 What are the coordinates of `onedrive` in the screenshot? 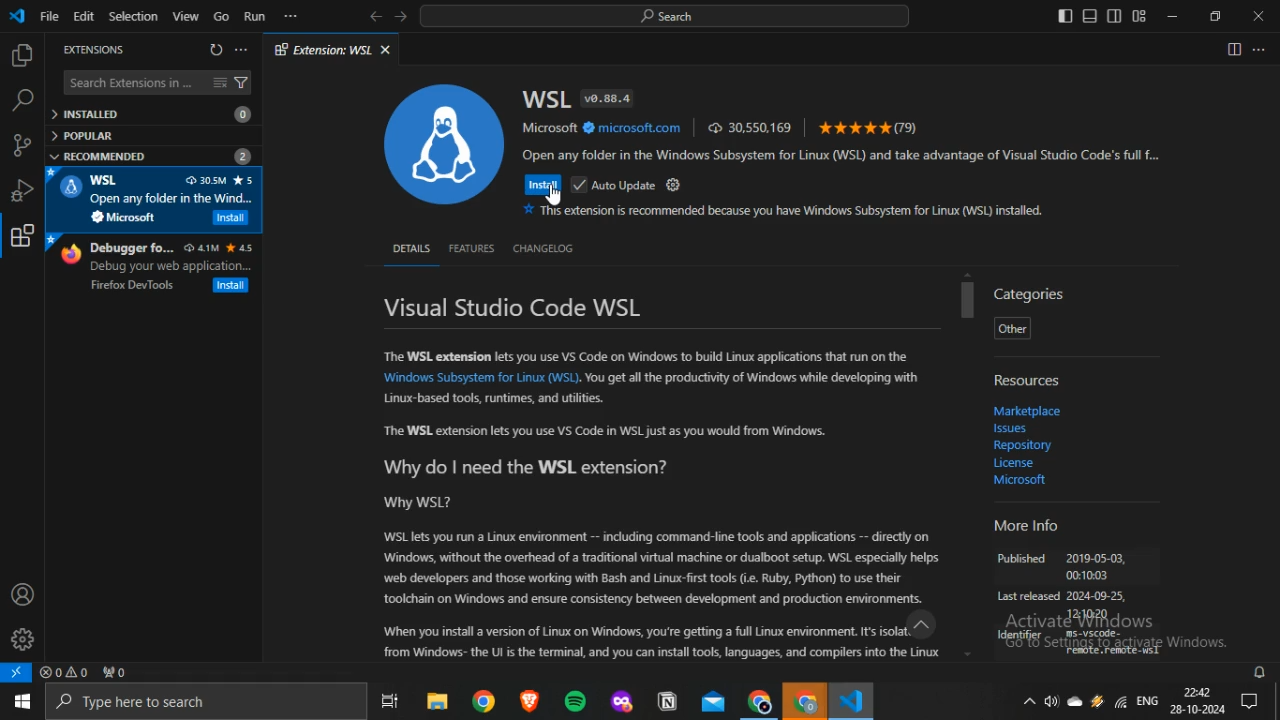 It's located at (1075, 702).